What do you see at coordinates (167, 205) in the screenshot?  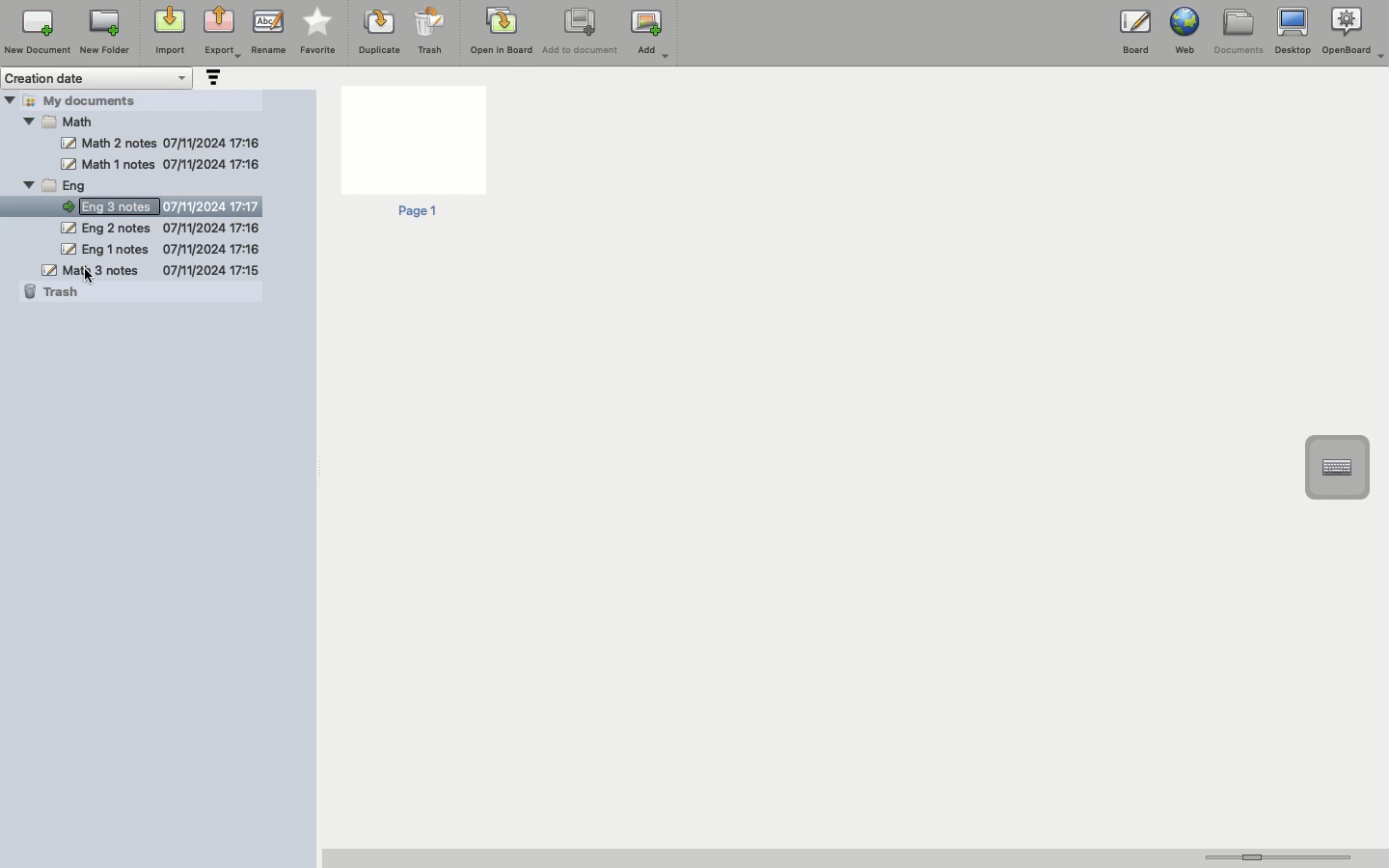 I see `Eng 3 notes 07/11/2024` at bounding box center [167, 205].